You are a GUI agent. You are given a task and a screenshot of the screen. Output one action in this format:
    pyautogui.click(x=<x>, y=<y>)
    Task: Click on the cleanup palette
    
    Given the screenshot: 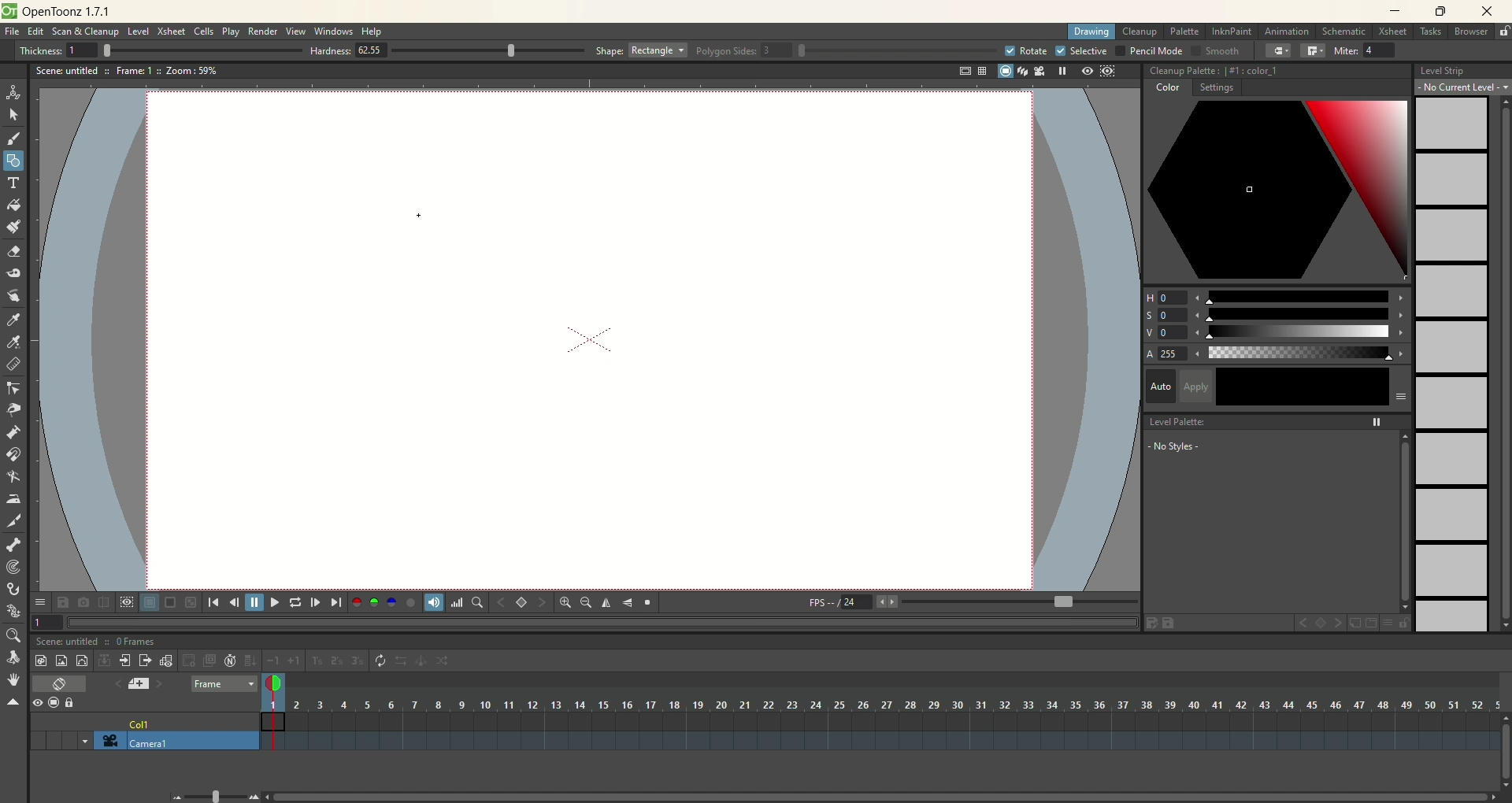 What is the action you would take?
    pyautogui.click(x=1277, y=71)
    